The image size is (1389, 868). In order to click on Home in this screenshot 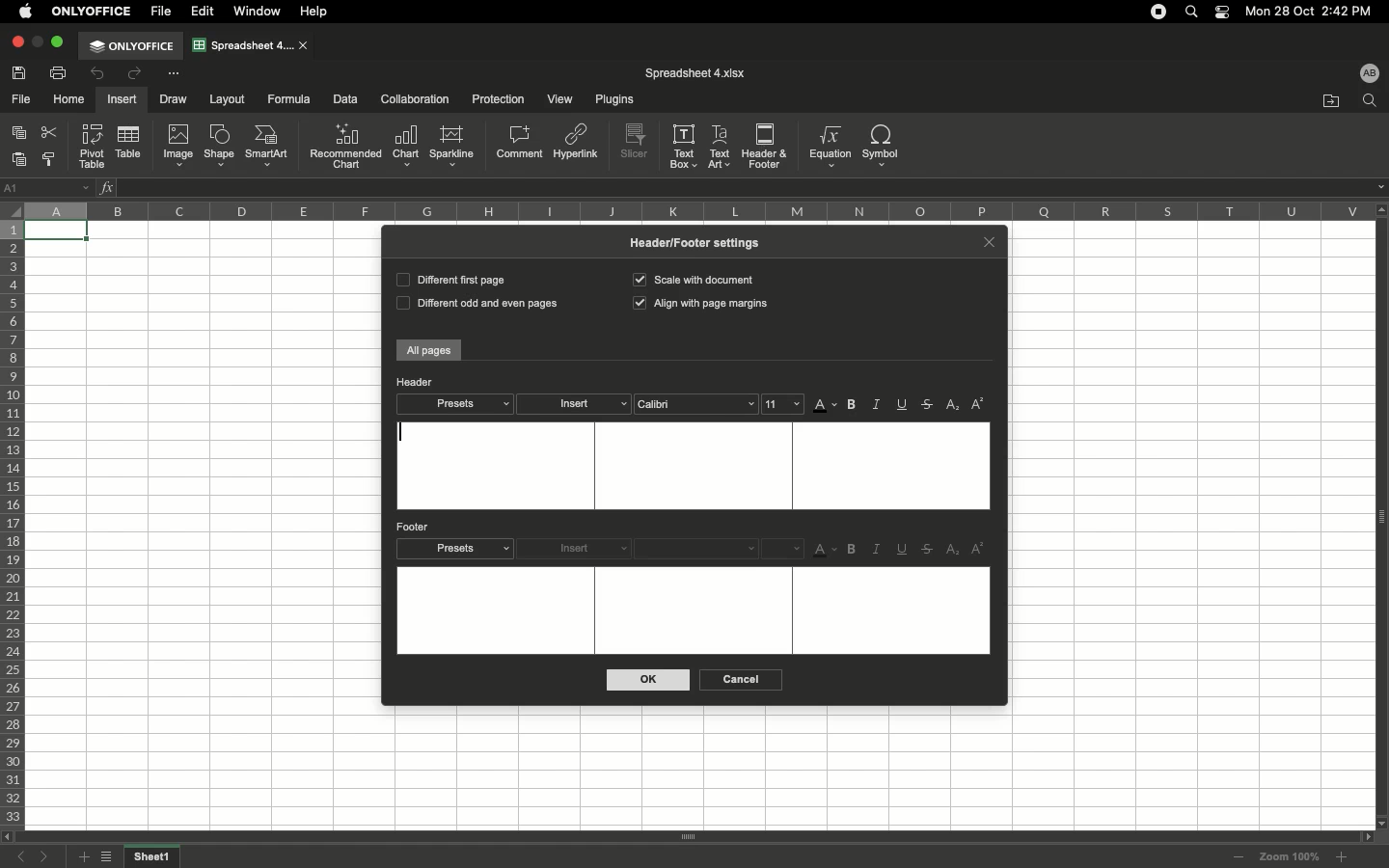, I will do `click(69, 100)`.